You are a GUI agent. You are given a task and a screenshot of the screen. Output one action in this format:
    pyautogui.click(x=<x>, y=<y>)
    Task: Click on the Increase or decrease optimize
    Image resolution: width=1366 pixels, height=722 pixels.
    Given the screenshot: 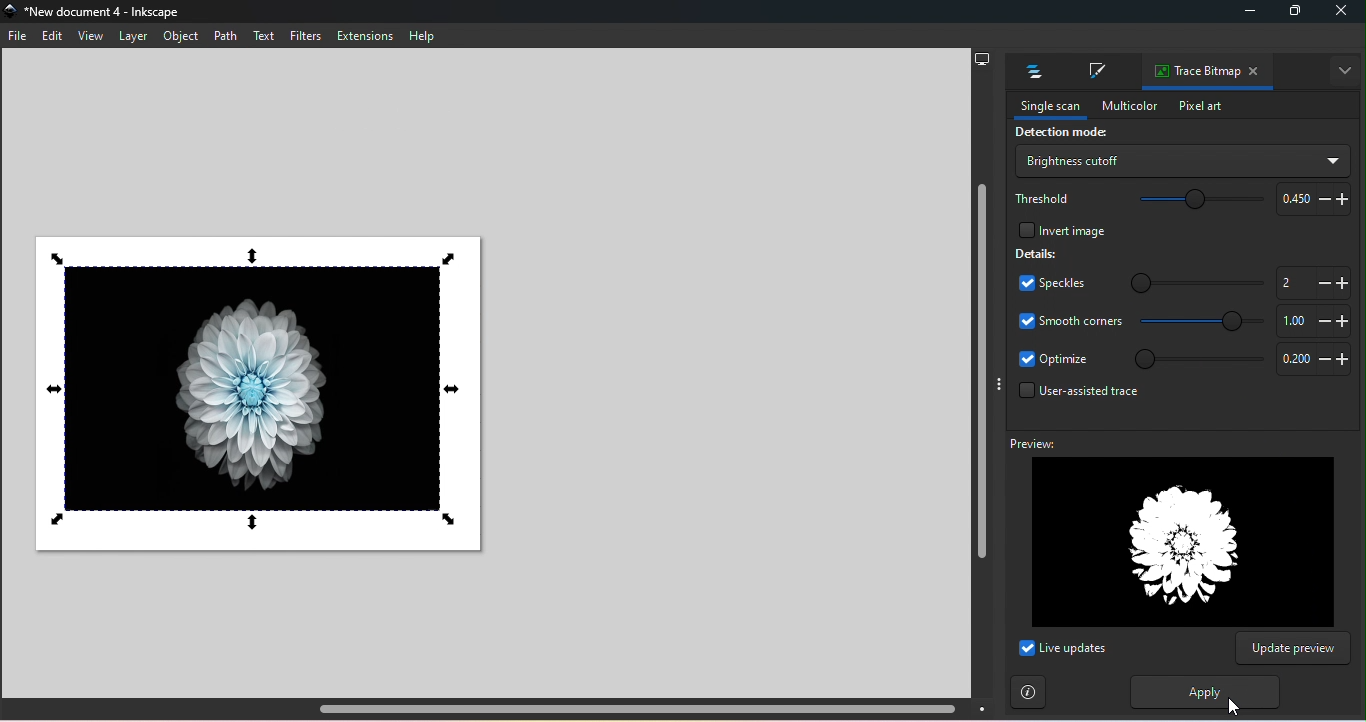 What is the action you would take?
    pyautogui.click(x=1310, y=361)
    